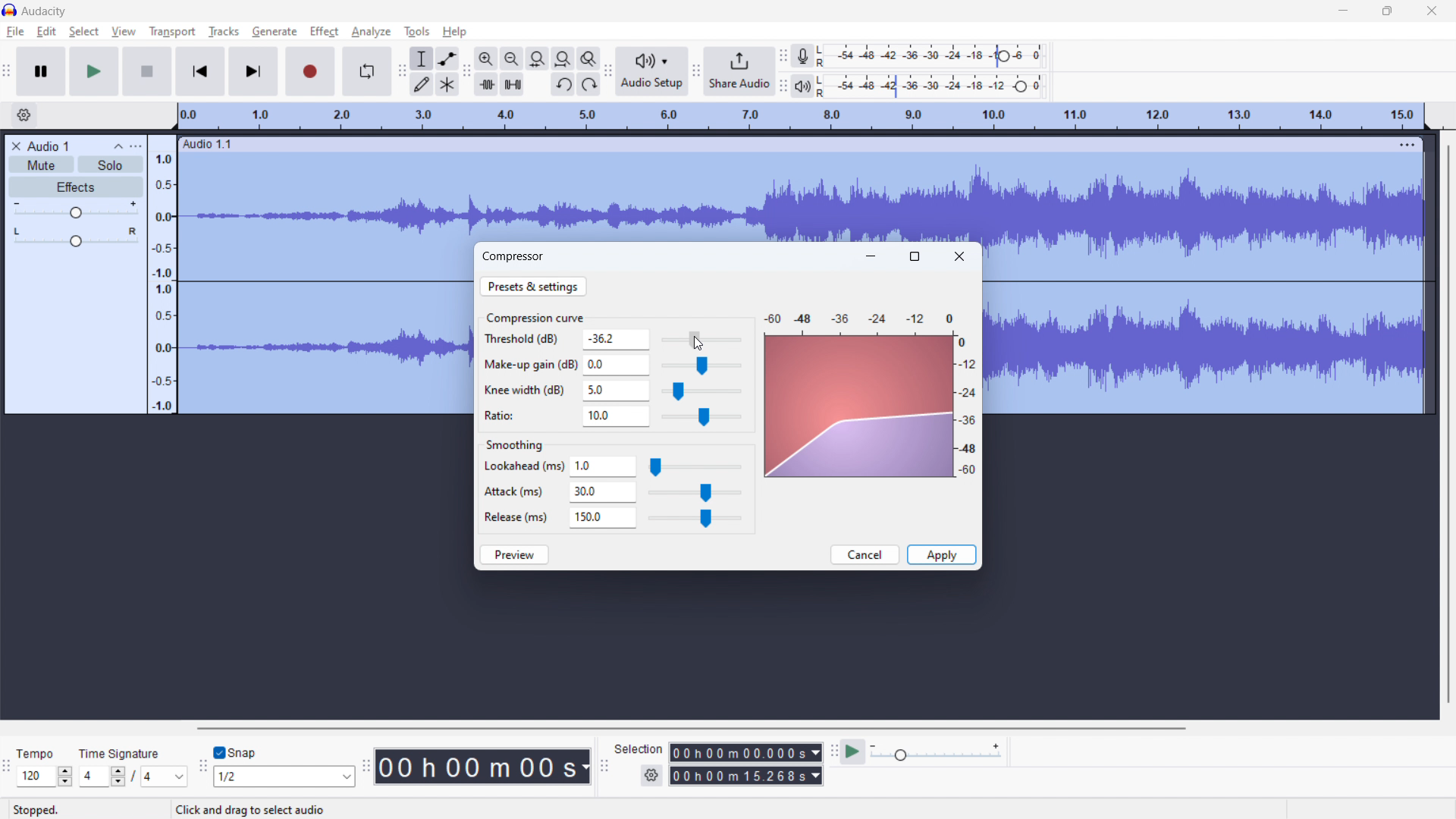  I want to click on horizontal scrollbar, so click(689, 728).